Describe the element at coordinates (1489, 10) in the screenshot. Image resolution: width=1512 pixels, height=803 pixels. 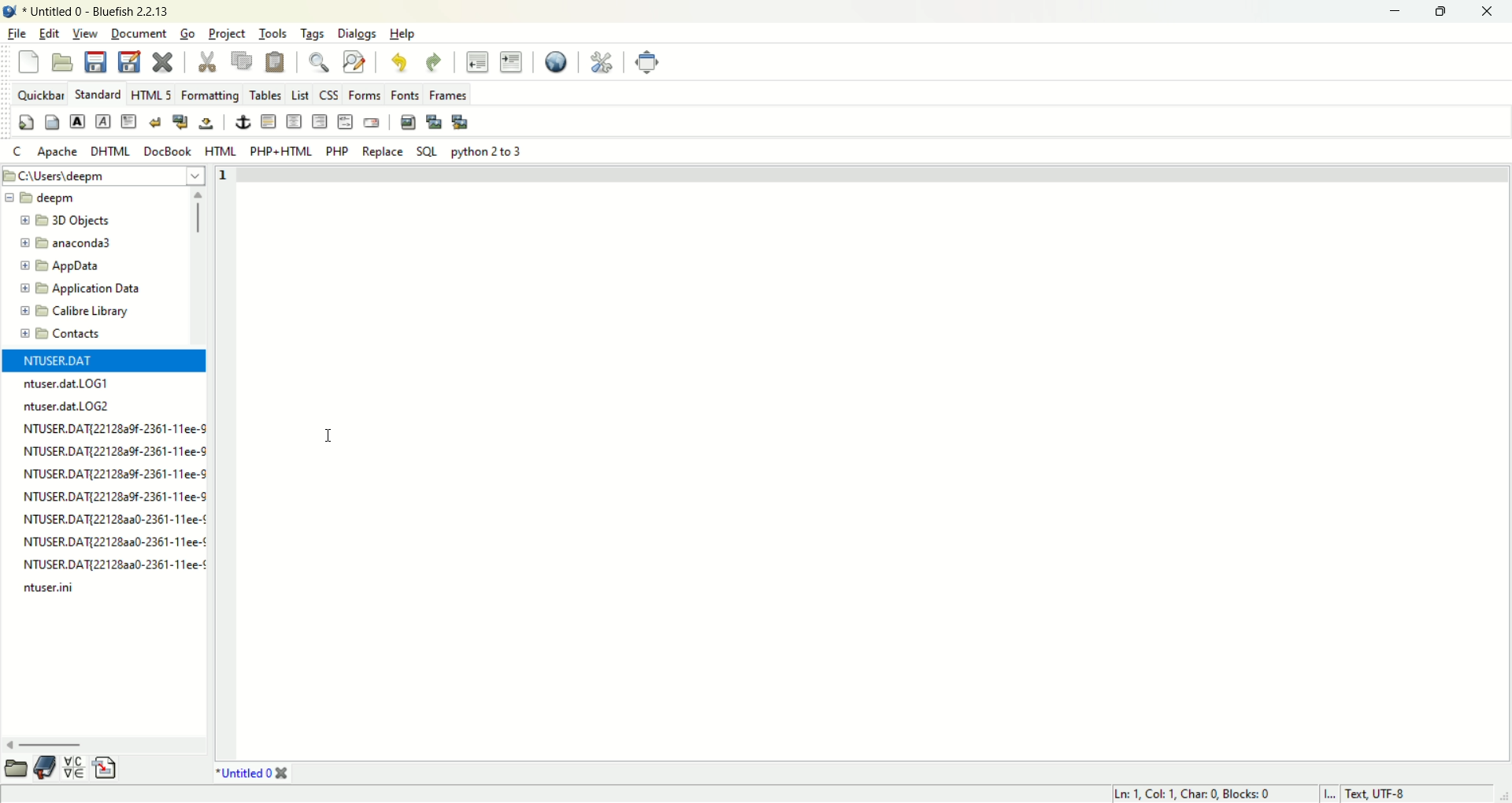
I see `close` at that location.